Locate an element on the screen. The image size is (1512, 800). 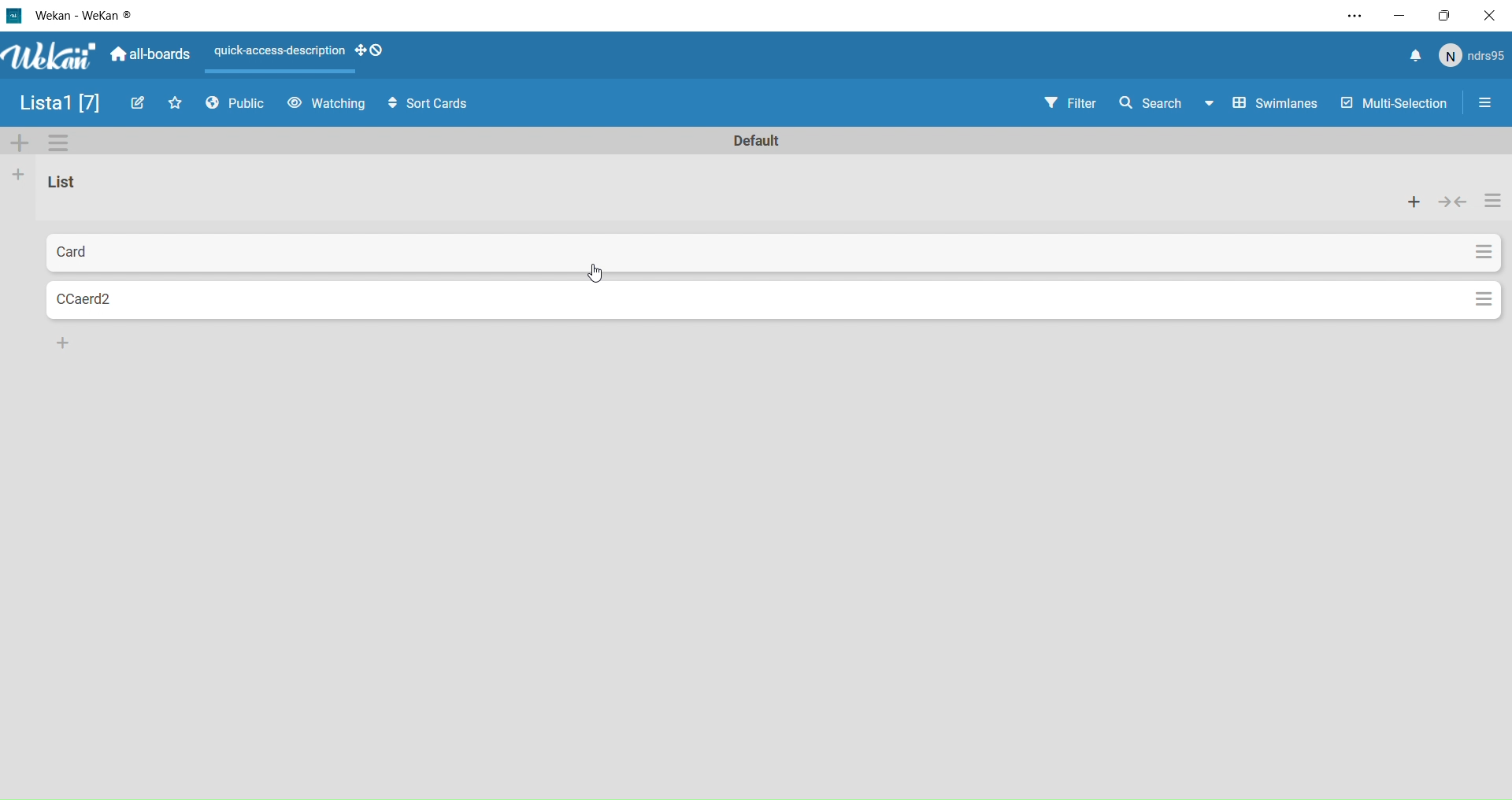
Settings is located at coordinates (1489, 105).